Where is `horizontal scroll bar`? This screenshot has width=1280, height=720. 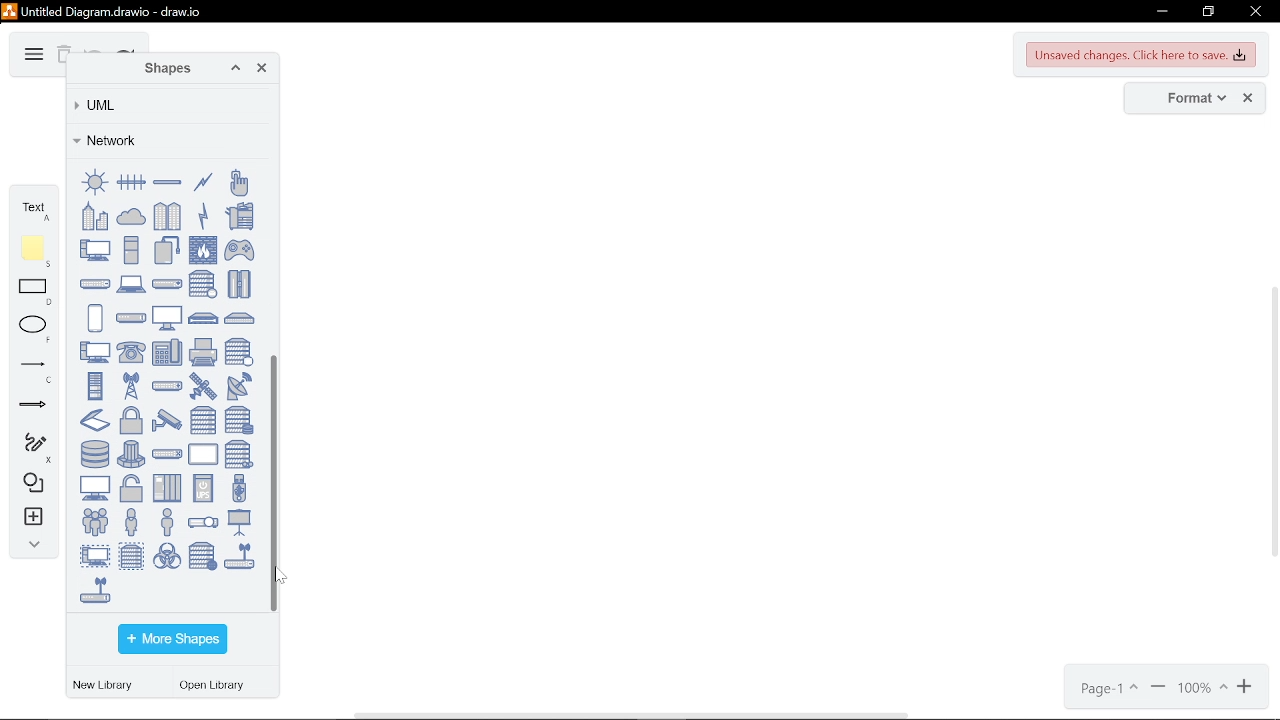 horizontal scroll bar is located at coordinates (634, 714).